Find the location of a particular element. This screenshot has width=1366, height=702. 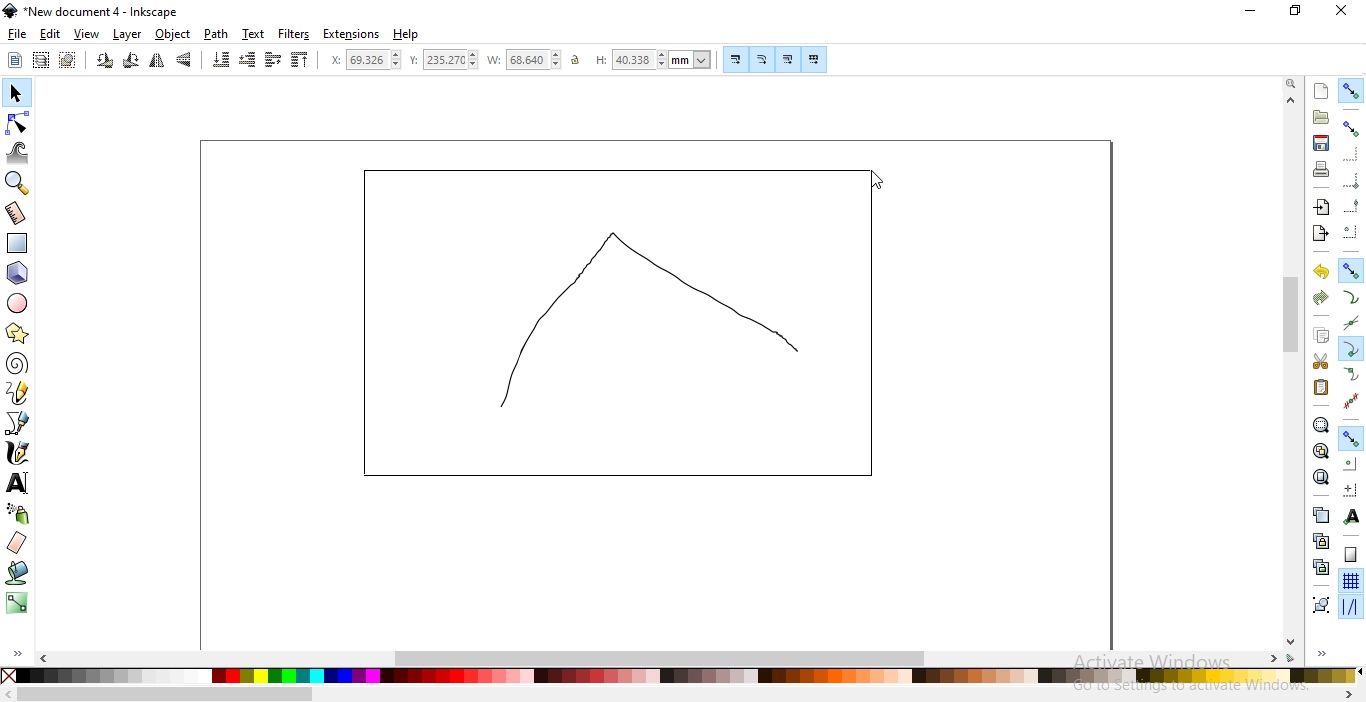

zoom to fit drawing is located at coordinates (1320, 449).